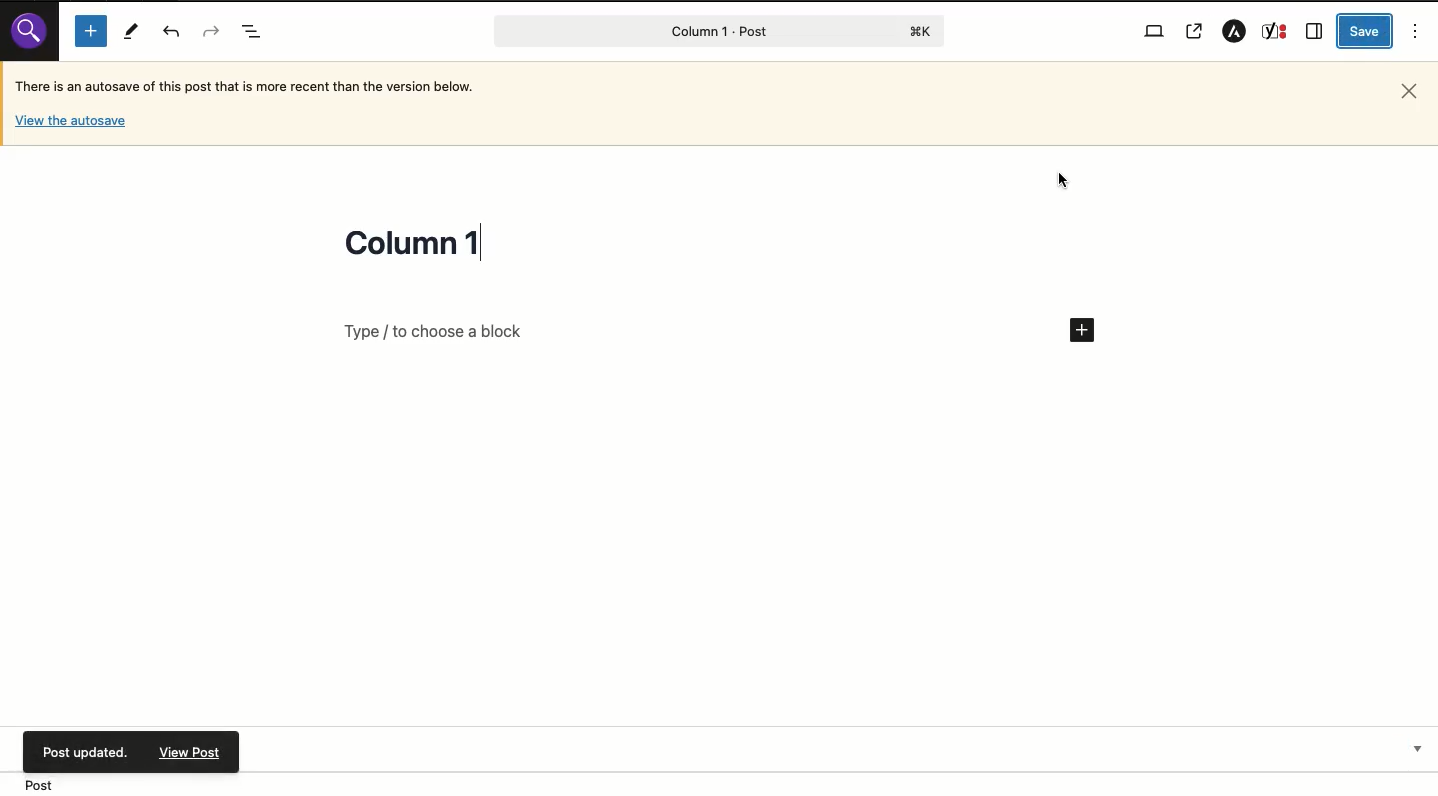 The height and width of the screenshot is (796, 1438). Describe the element at coordinates (131, 31) in the screenshot. I see `` at that location.